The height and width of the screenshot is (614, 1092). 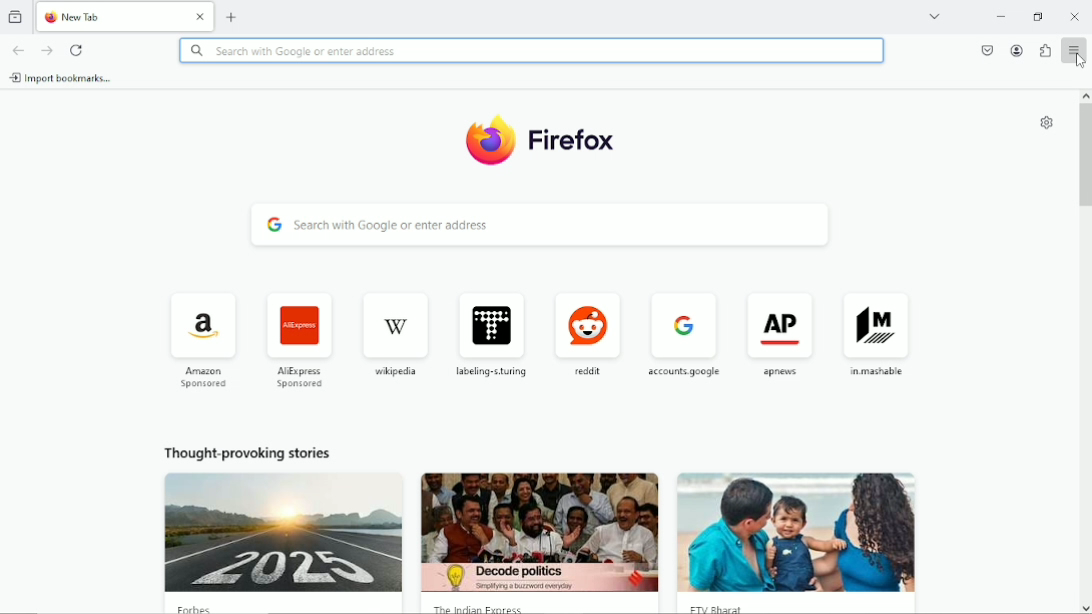 I want to click on scroll down, so click(x=1084, y=606).